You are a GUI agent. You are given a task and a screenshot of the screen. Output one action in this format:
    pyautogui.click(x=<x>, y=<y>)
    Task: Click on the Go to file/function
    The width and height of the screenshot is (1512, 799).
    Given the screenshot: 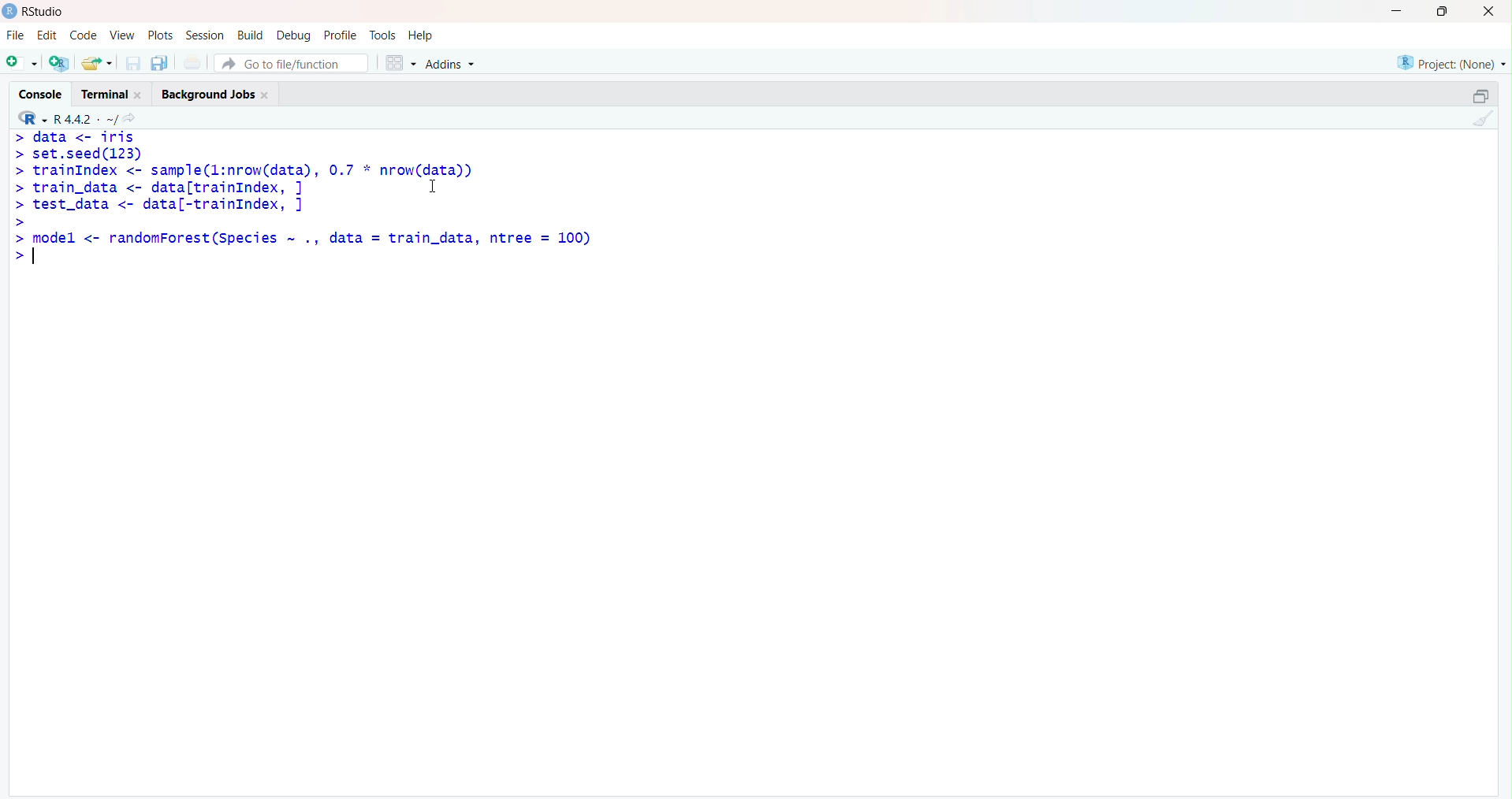 What is the action you would take?
    pyautogui.click(x=290, y=61)
    